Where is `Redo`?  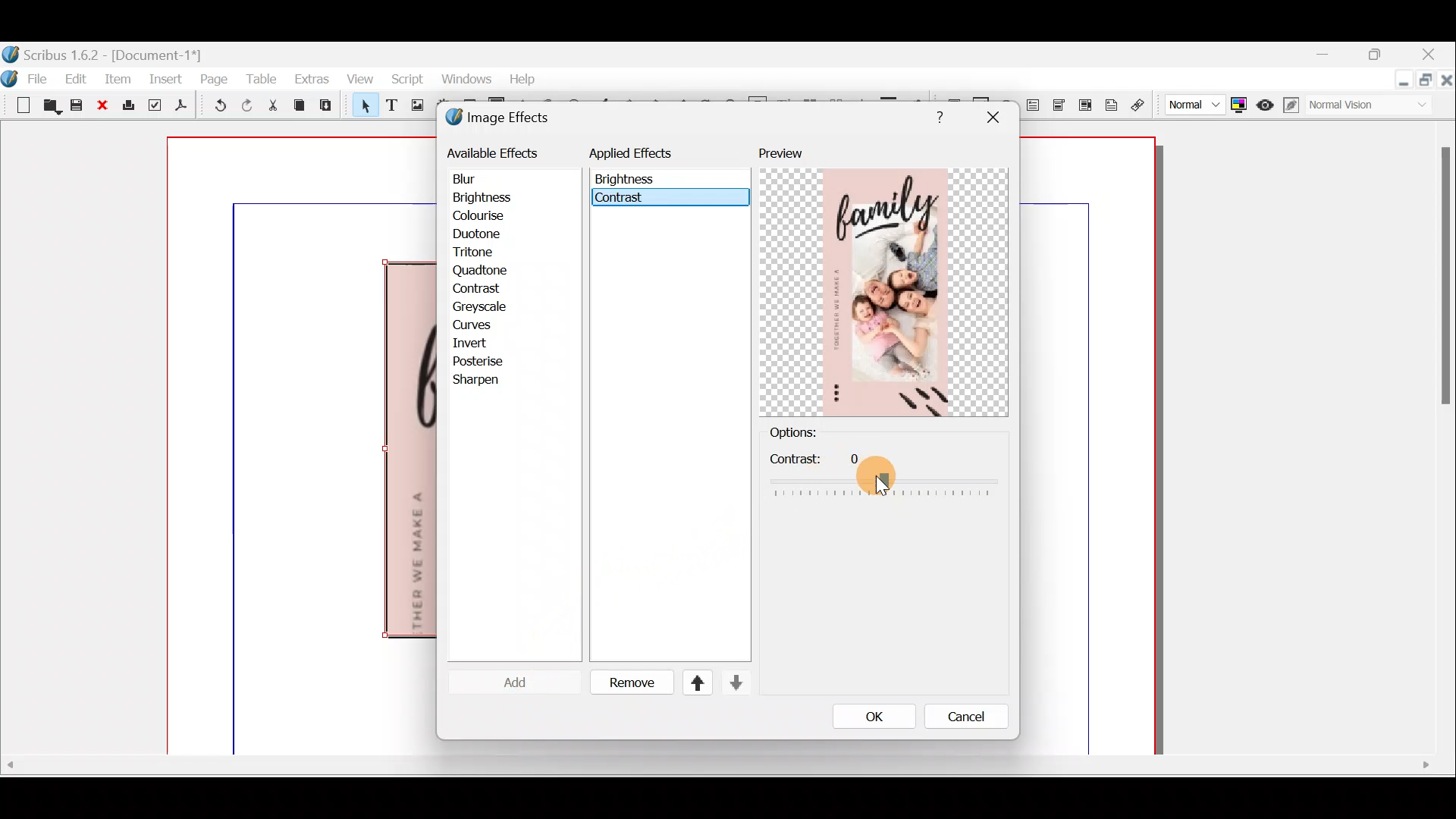
Redo is located at coordinates (246, 105).